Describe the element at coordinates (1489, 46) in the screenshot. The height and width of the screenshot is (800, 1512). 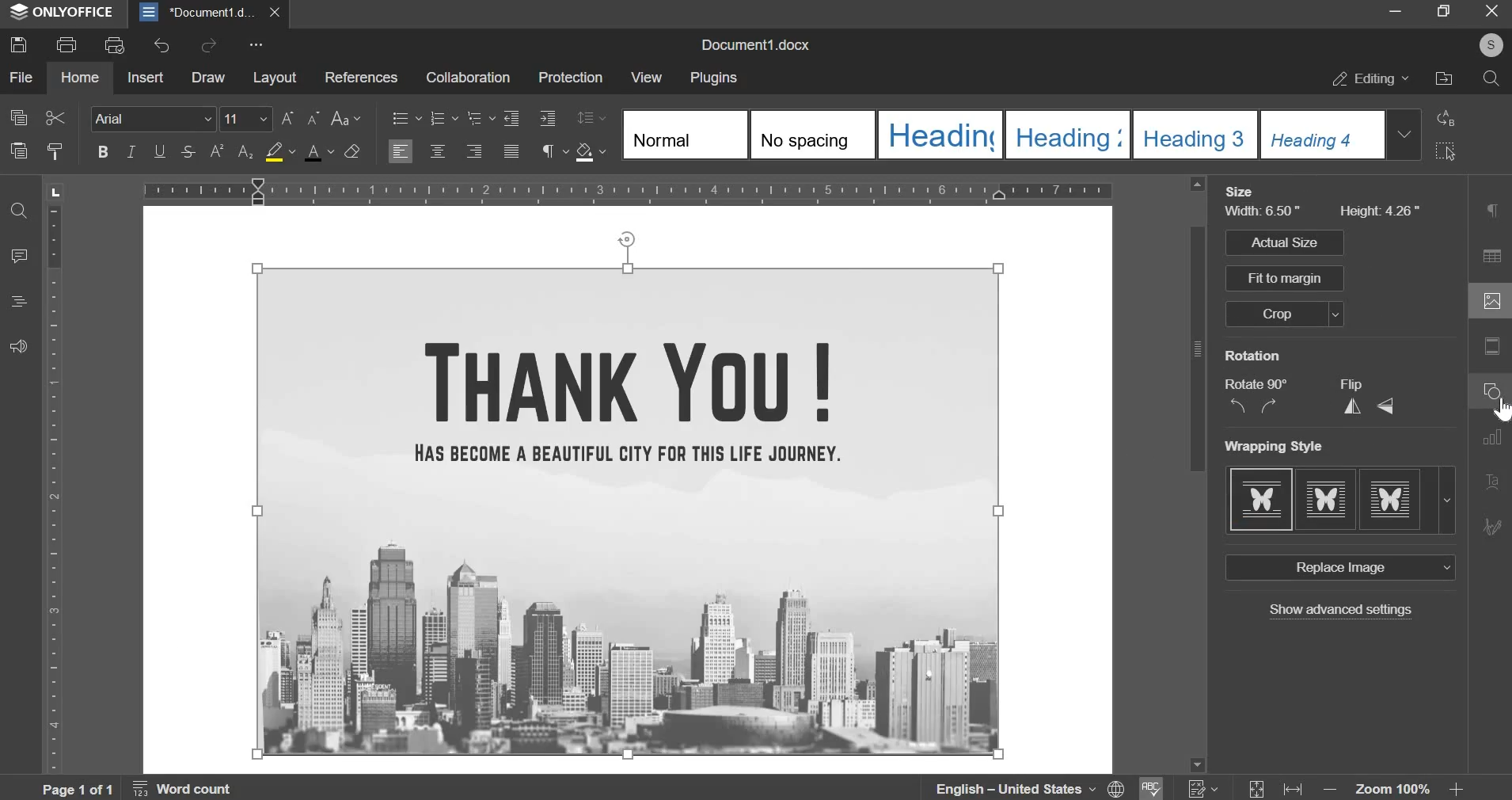
I see `S` at that location.